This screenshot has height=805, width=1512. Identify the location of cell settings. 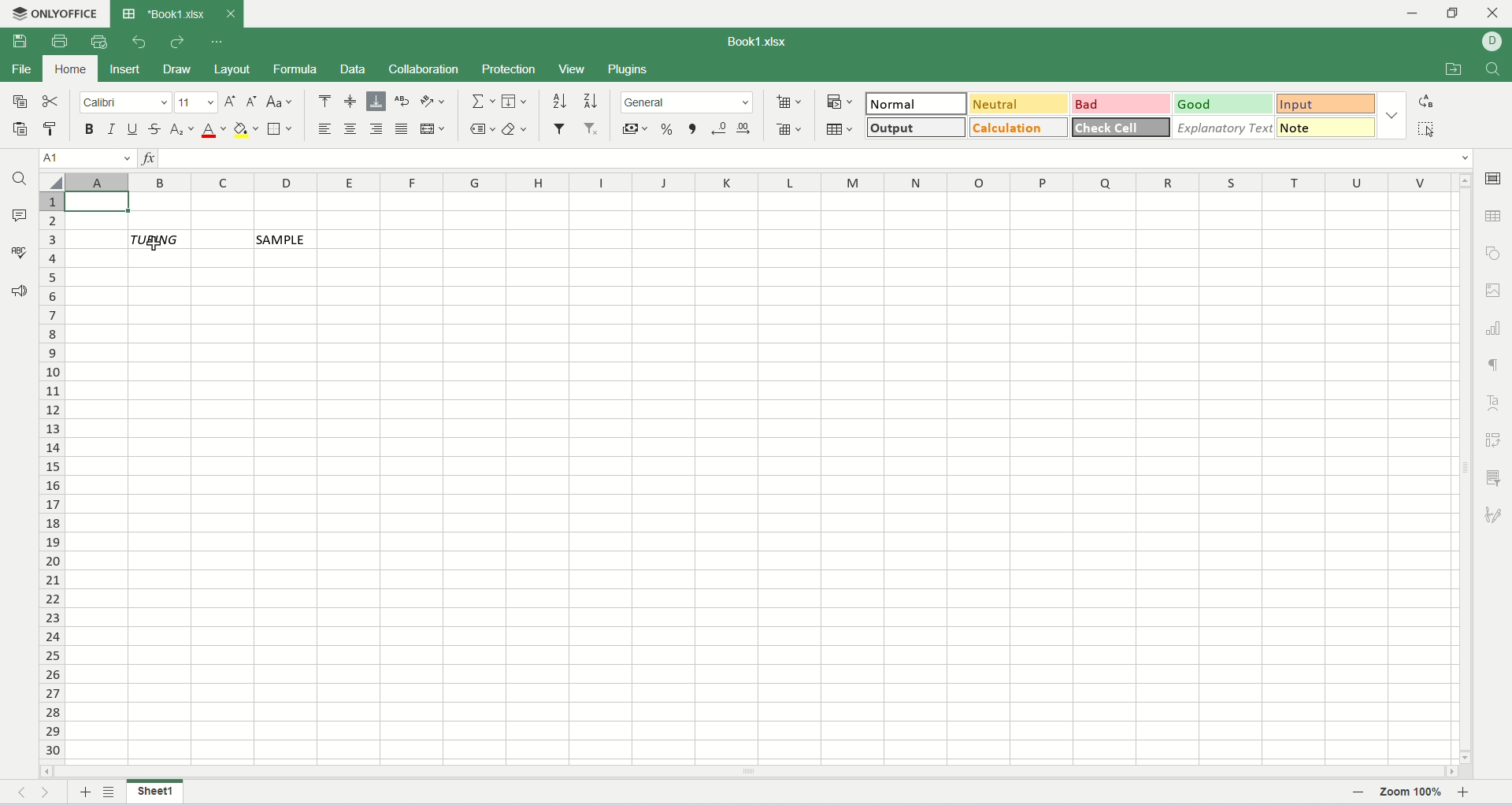
(1496, 177).